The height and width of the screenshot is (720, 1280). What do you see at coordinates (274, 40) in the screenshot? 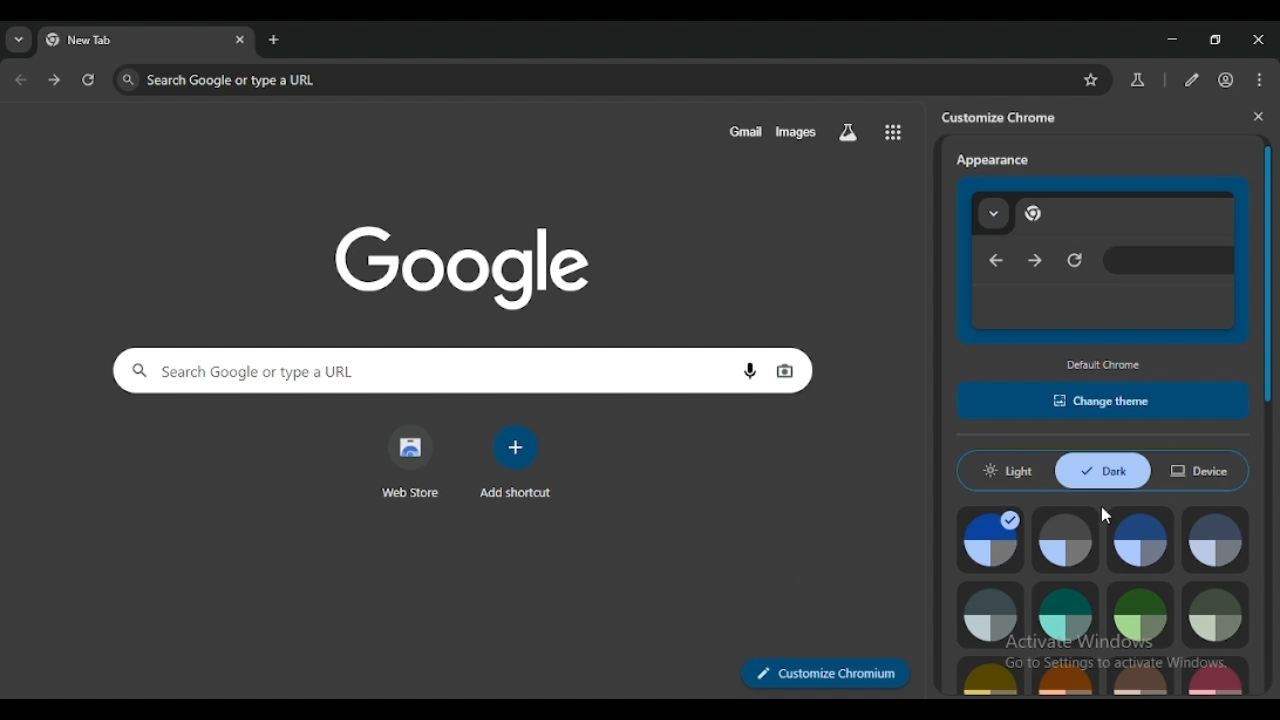
I see `add tab` at bounding box center [274, 40].